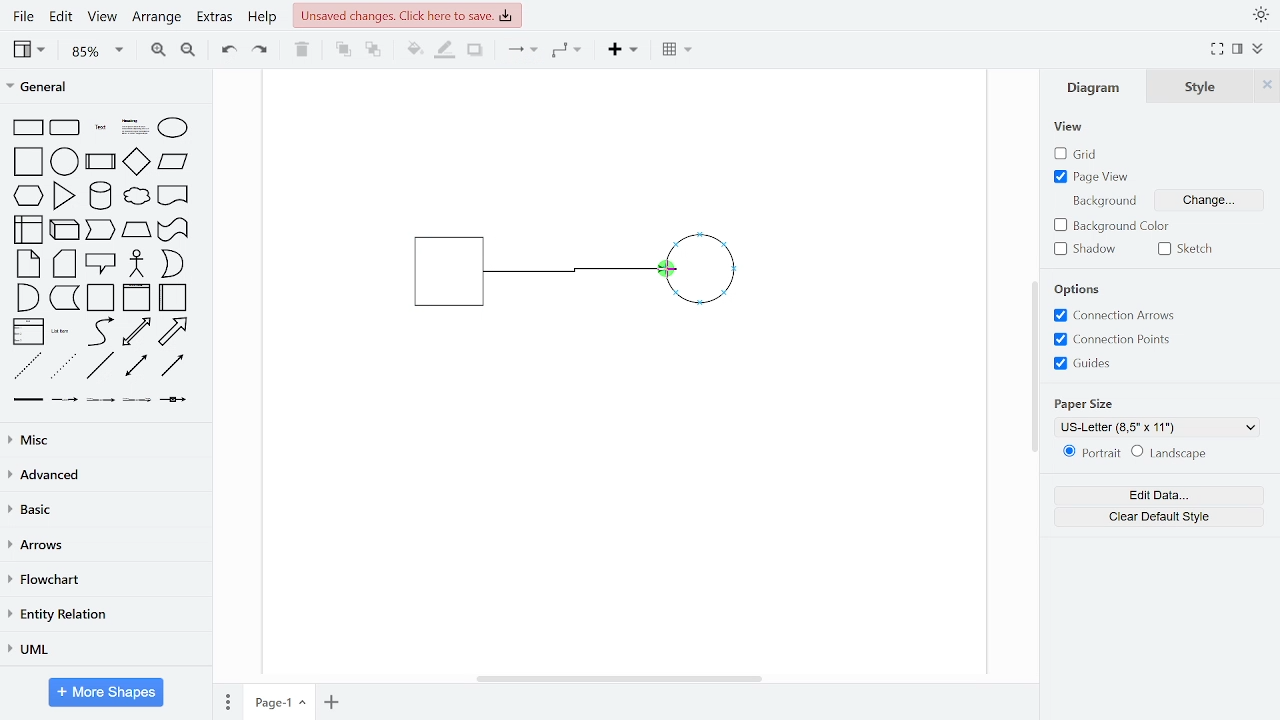 Image resolution: width=1280 pixels, height=720 pixels. What do you see at coordinates (102, 197) in the screenshot?
I see `cylinder` at bounding box center [102, 197].